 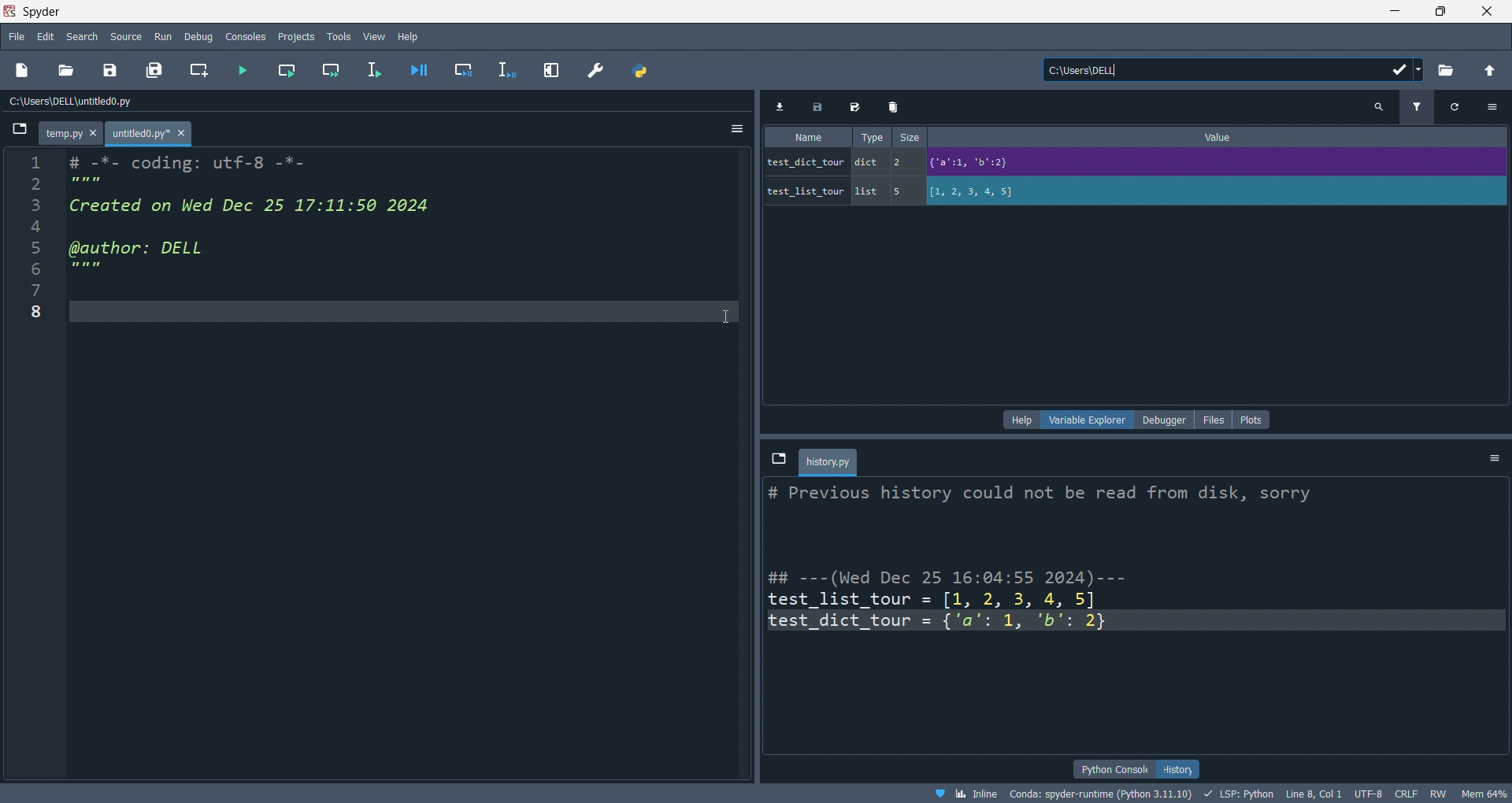 What do you see at coordinates (1459, 458) in the screenshot?
I see `close kernel` at bounding box center [1459, 458].